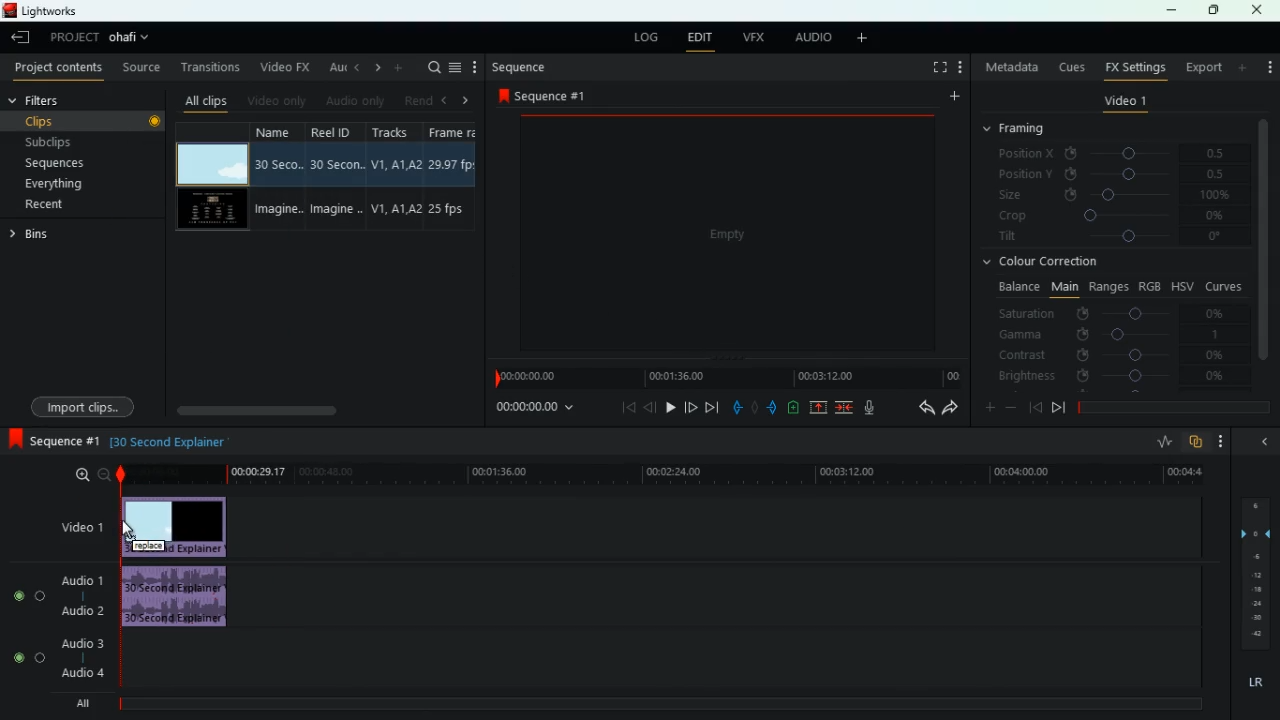 The height and width of the screenshot is (720, 1280). I want to click on more, so click(1244, 67).